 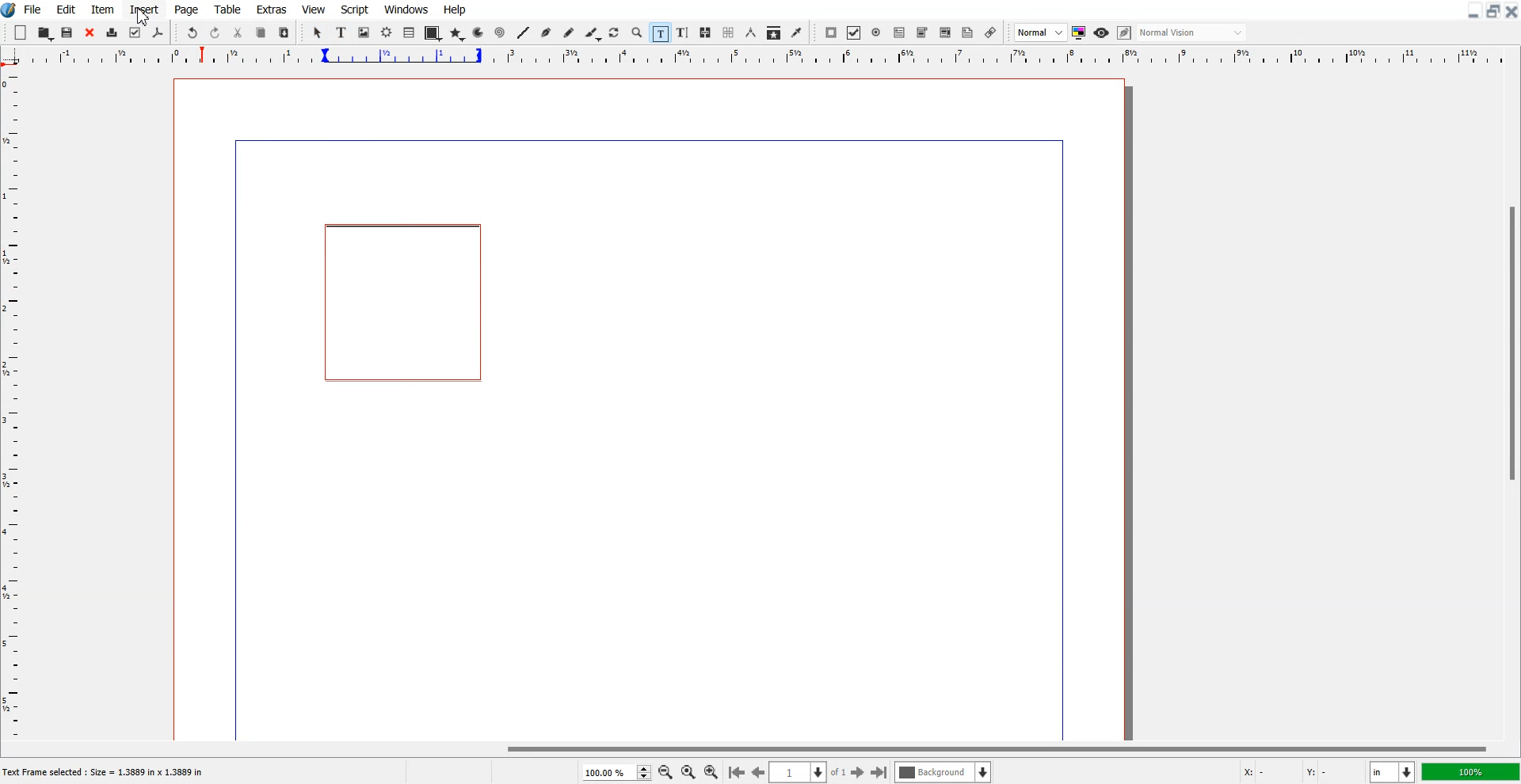 What do you see at coordinates (808, 772) in the screenshot?
I see `Select current page` at bounding box center [808, 772].